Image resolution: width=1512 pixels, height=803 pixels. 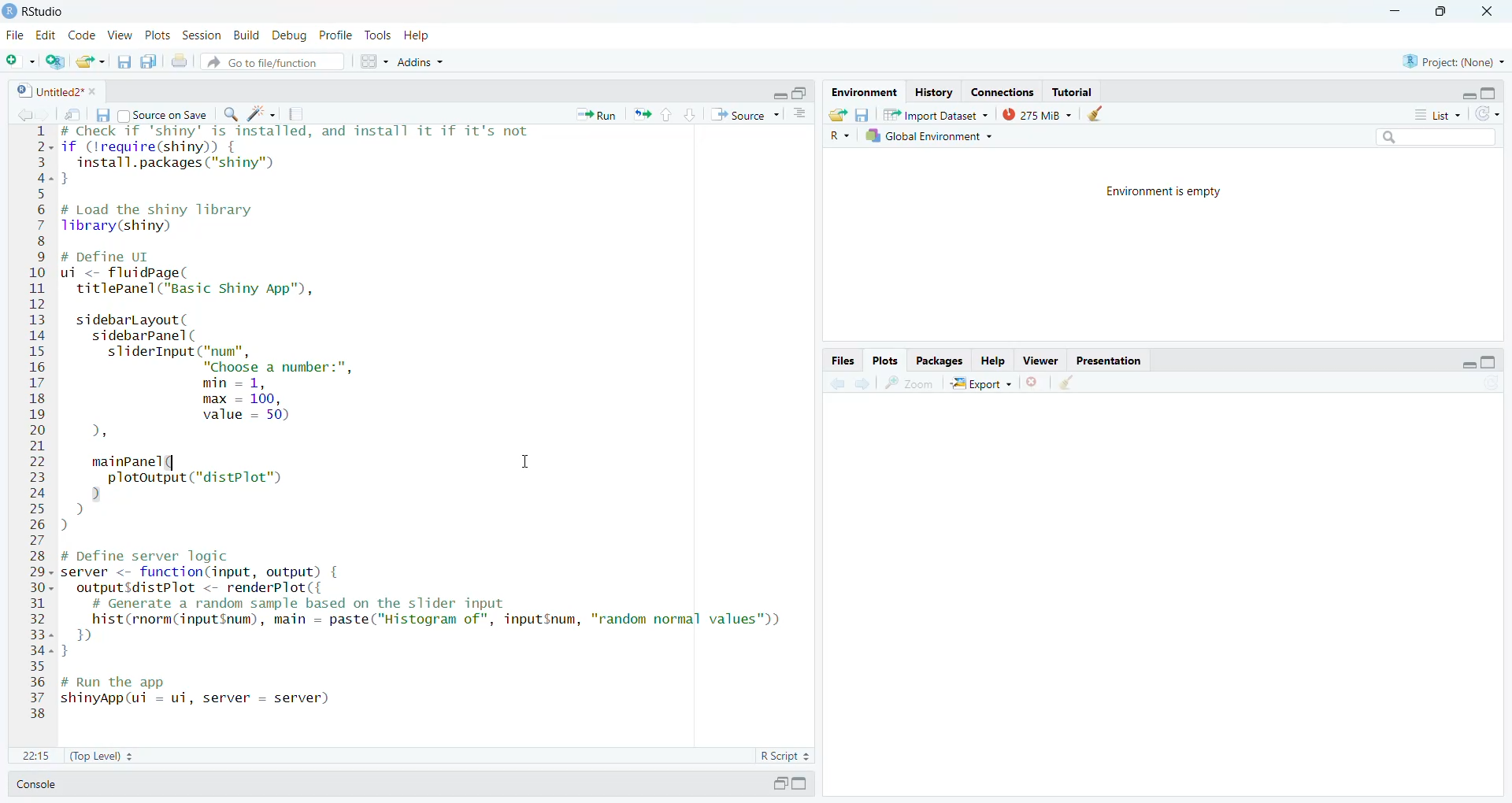 I want to click on clear, so click(x=1094, y=113).